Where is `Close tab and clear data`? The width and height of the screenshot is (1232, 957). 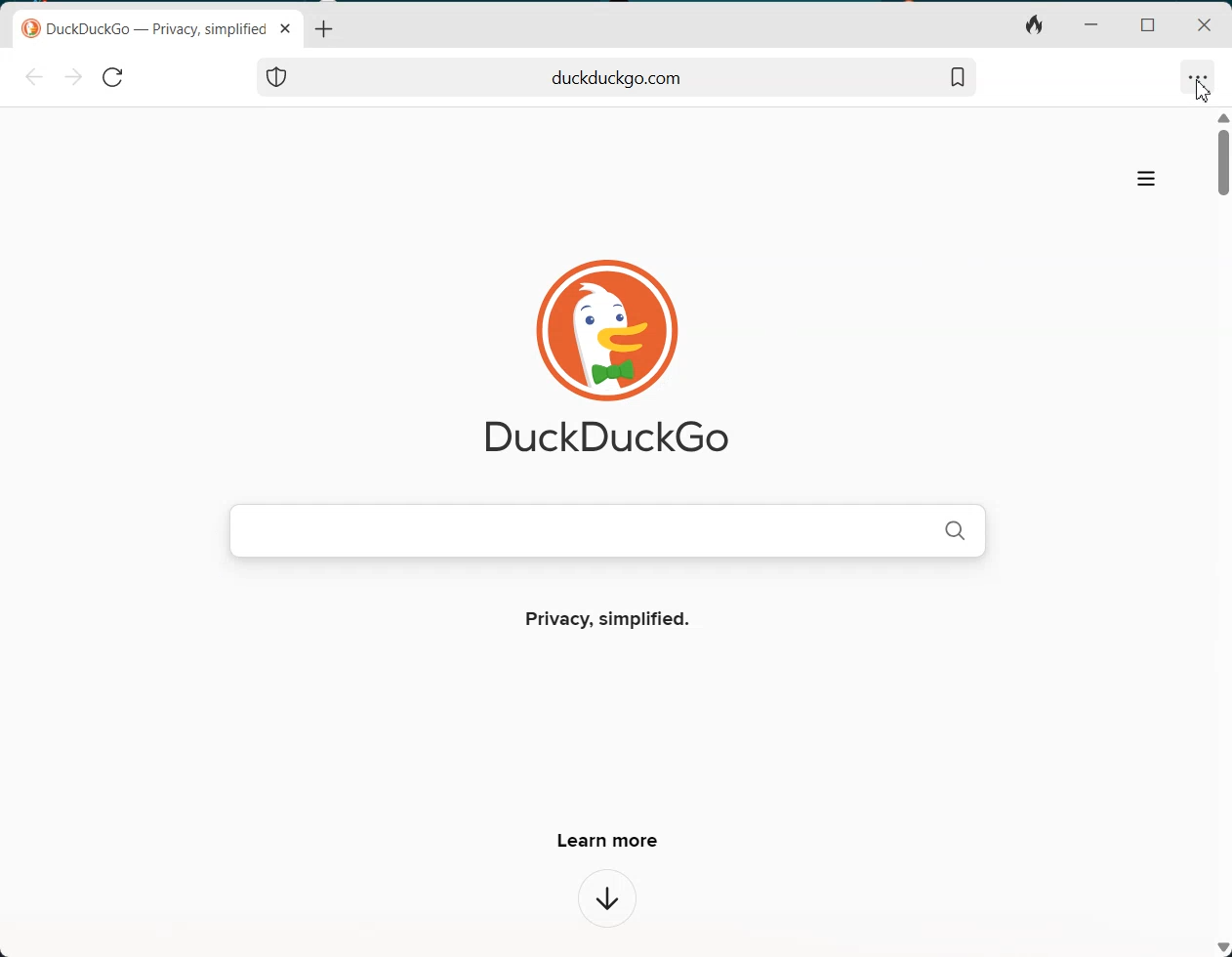
Close tab and clear data is located at coordinates (1034, 26).